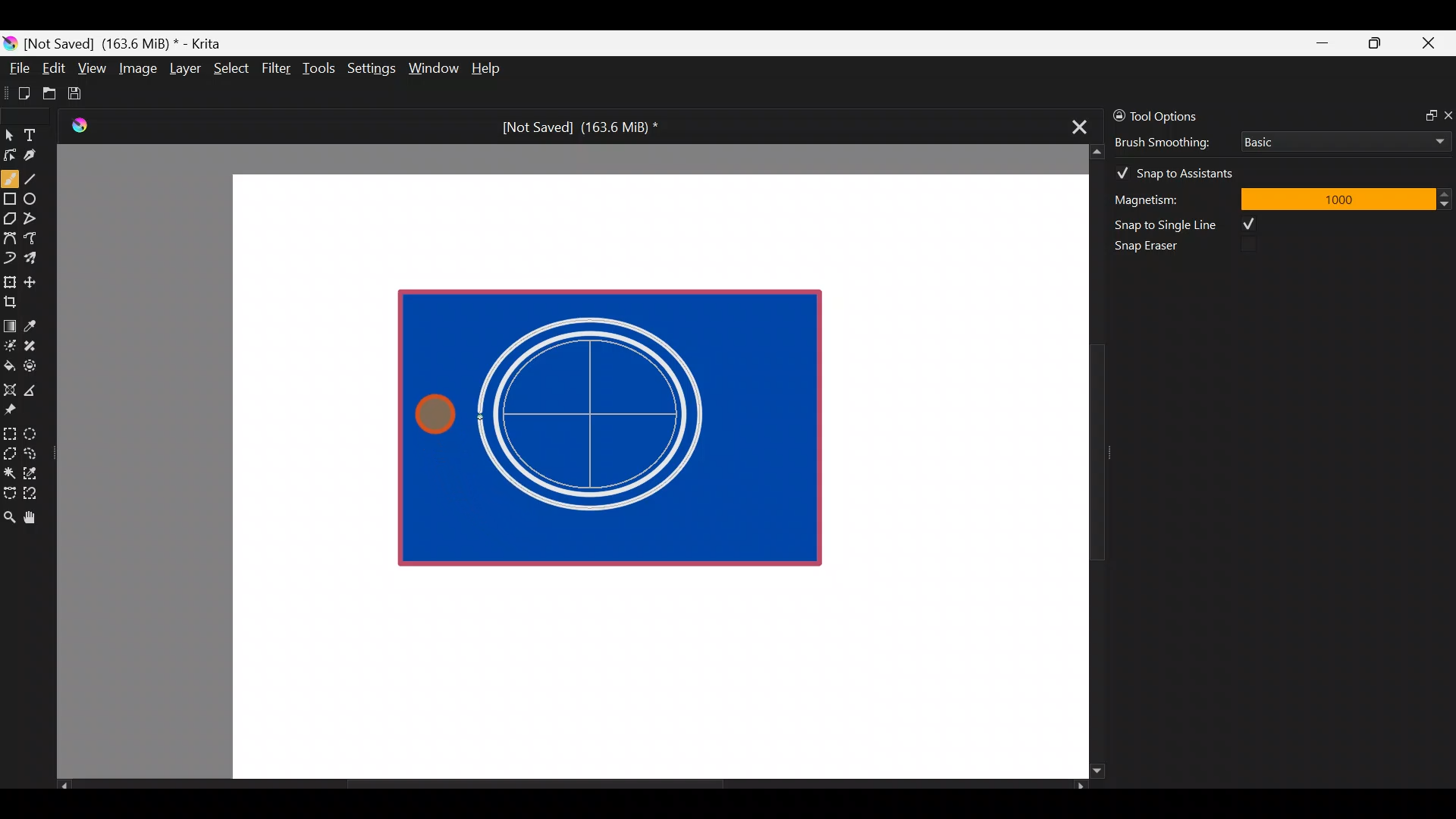 The height and width of the screenshot is (819, 1456). What do you see at coordinates (1341, 139) in the screenshot?
I see `Basic` at bounding box center [1341, 139].